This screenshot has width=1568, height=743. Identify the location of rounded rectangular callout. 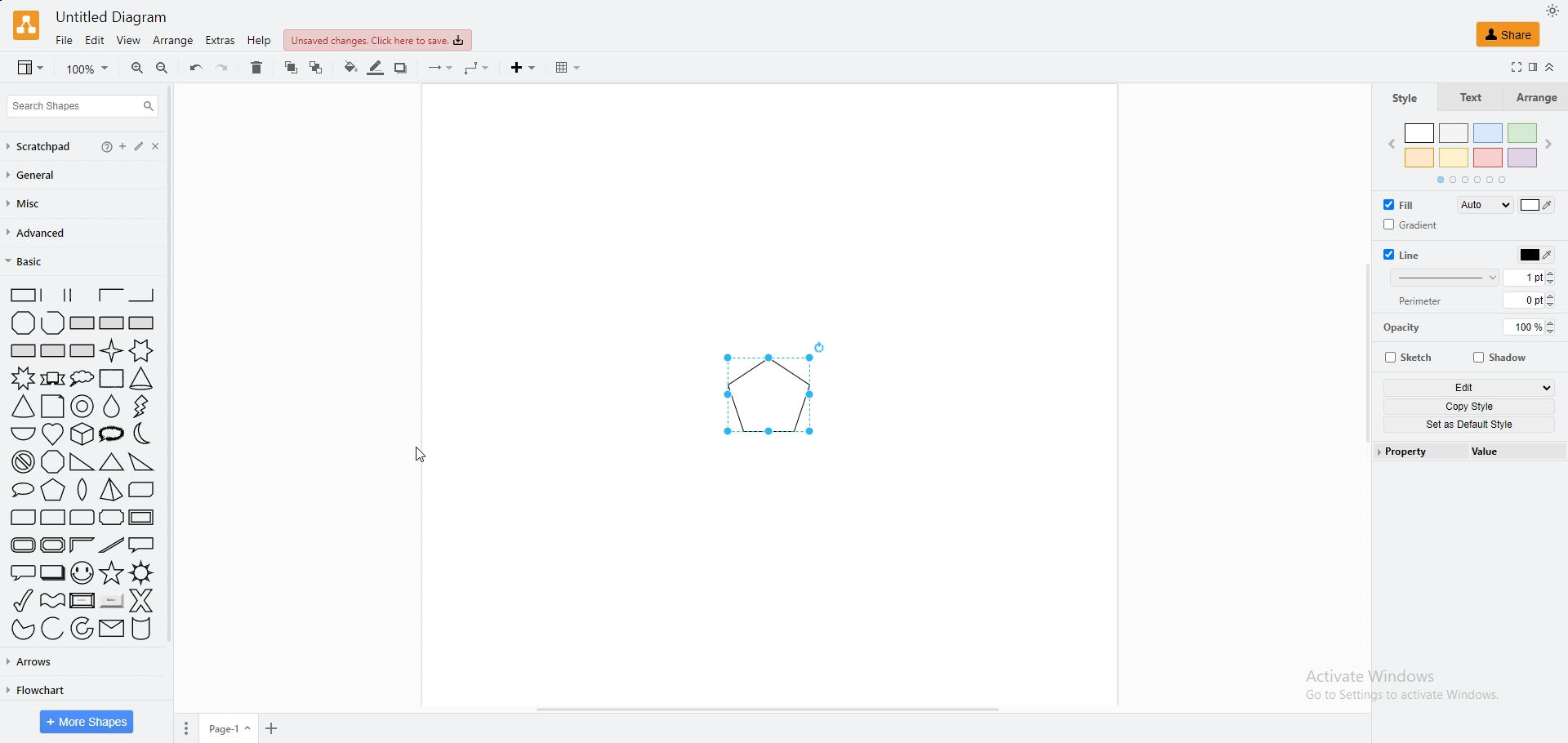
(20, 571).